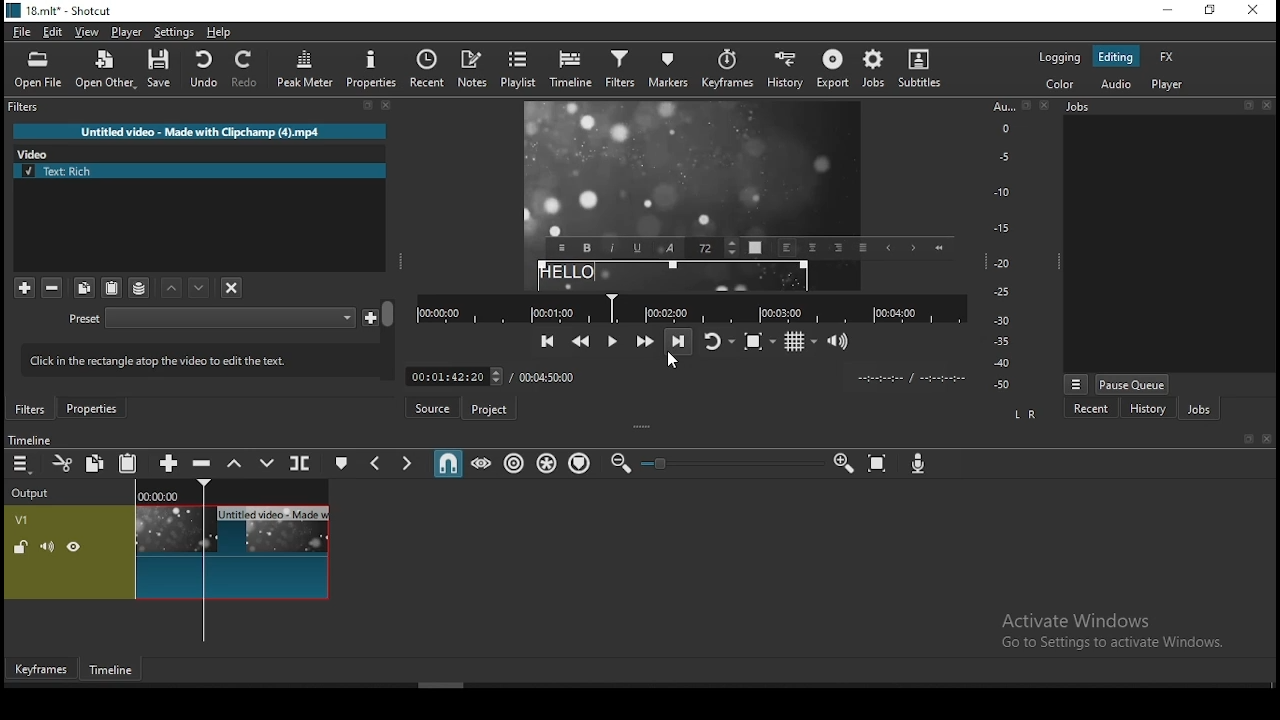  I want to click on close window, so click(1255, 10).